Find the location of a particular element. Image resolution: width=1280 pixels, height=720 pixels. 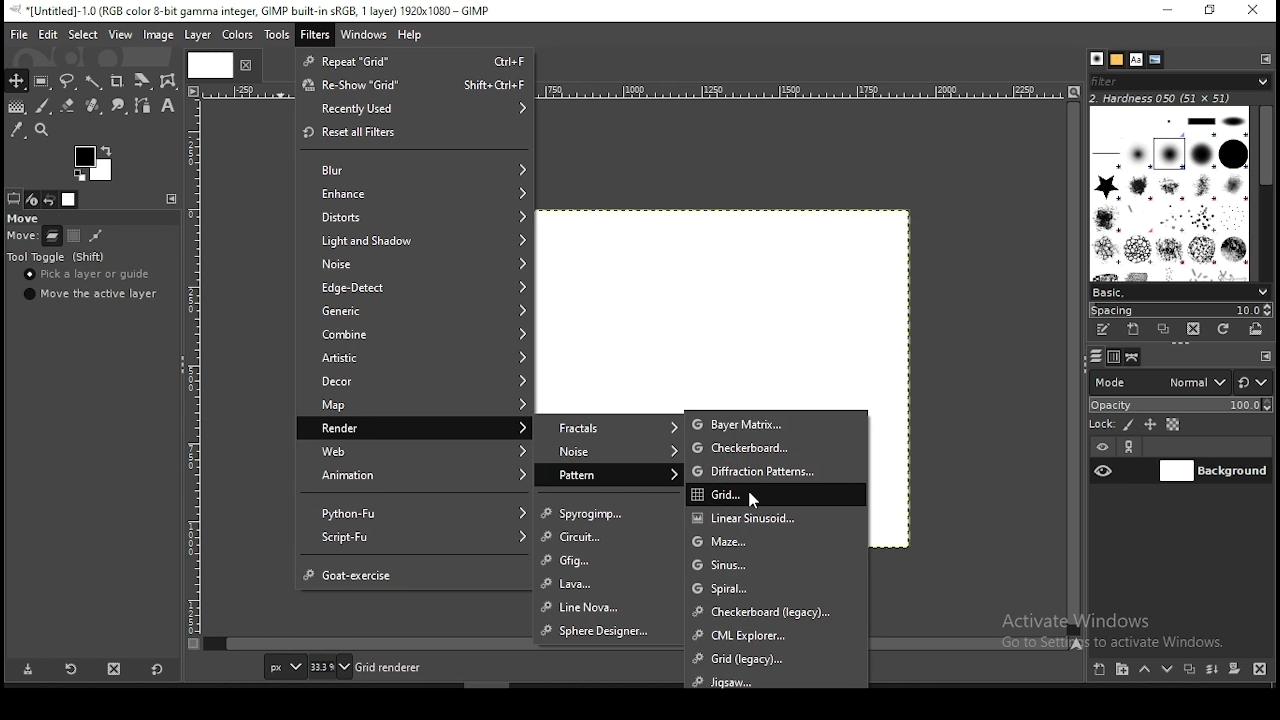

lock is located at coordinates (1101, 424).